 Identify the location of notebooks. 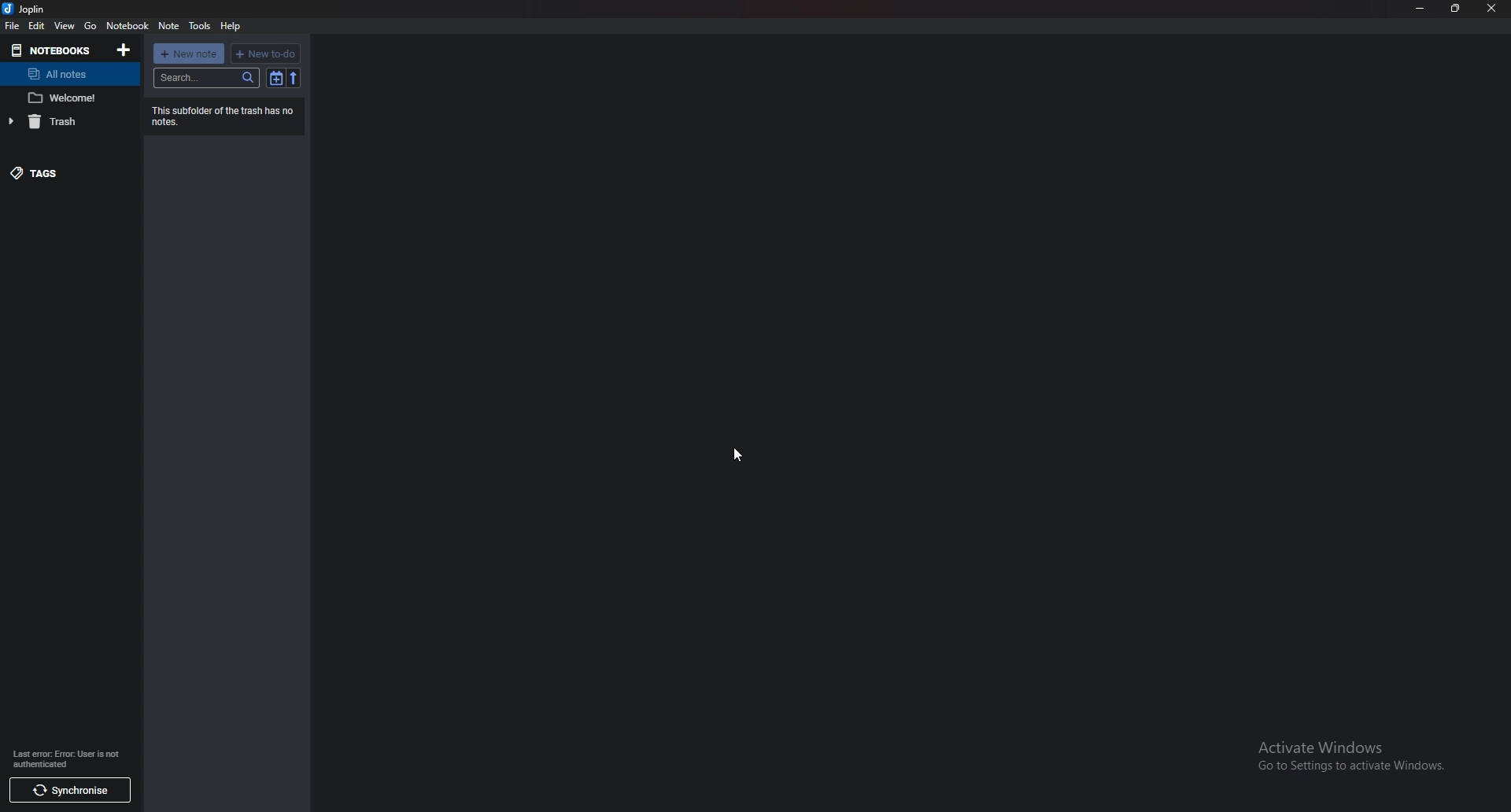
(54, 50).